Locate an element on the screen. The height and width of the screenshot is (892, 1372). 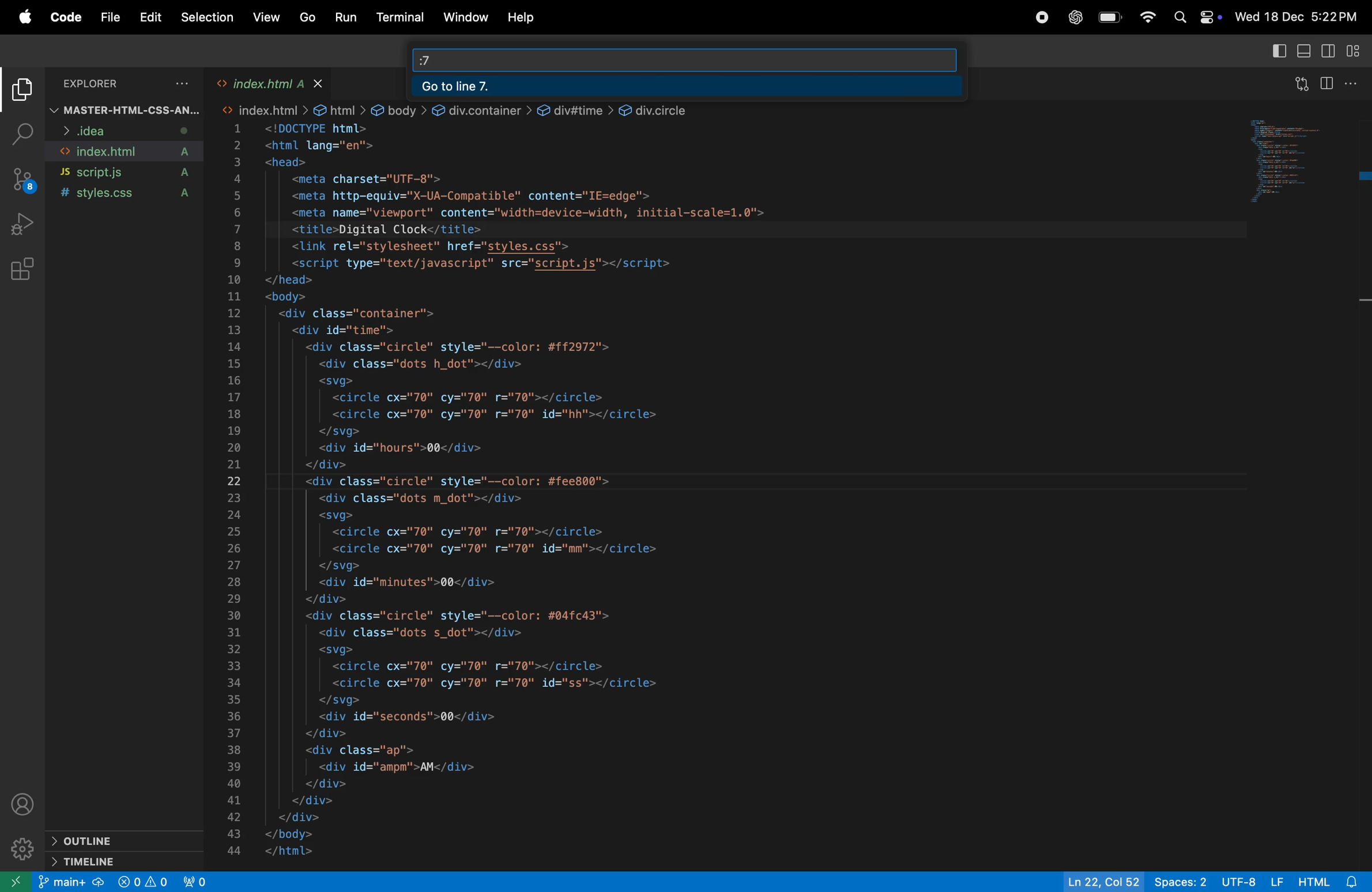
chatgpt is located at coordinates (1074, 16).